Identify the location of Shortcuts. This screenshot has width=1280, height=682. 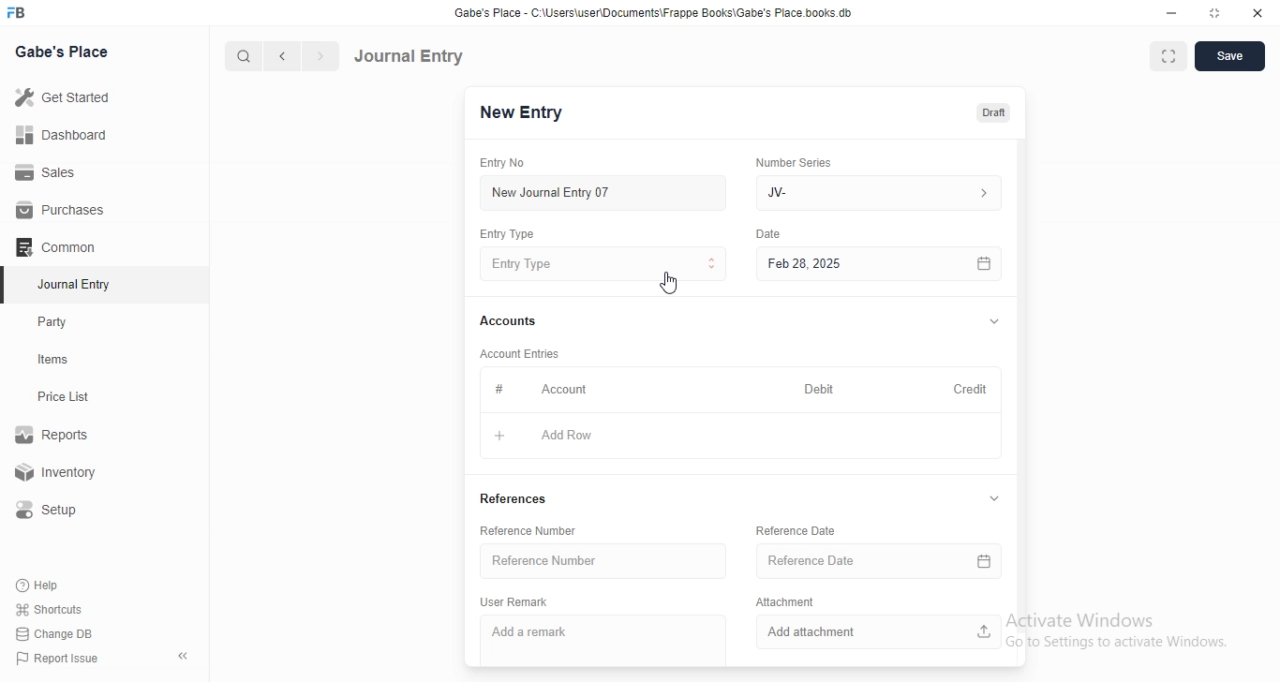
(49, 608).